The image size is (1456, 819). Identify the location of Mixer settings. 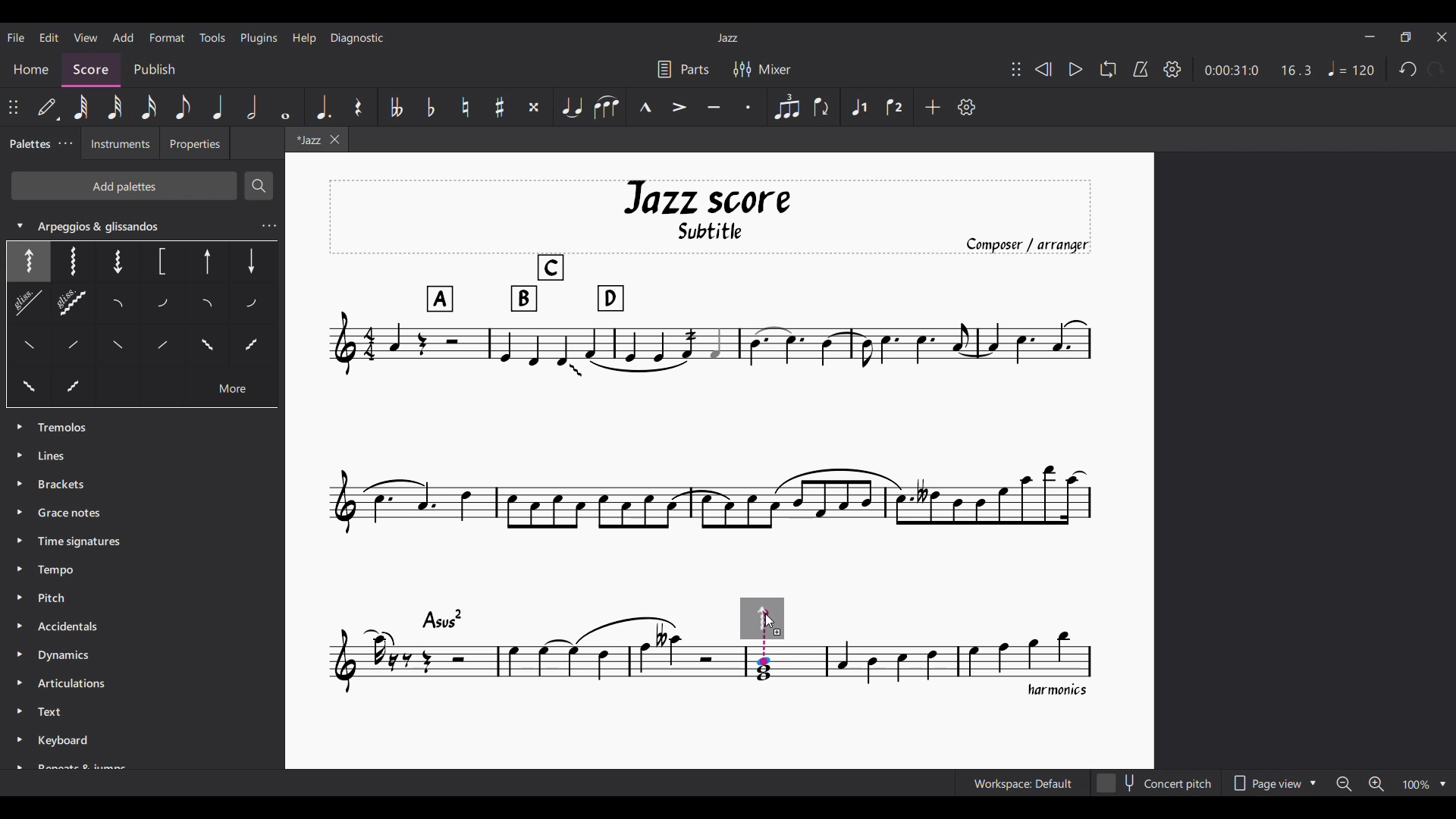
(762, 69).